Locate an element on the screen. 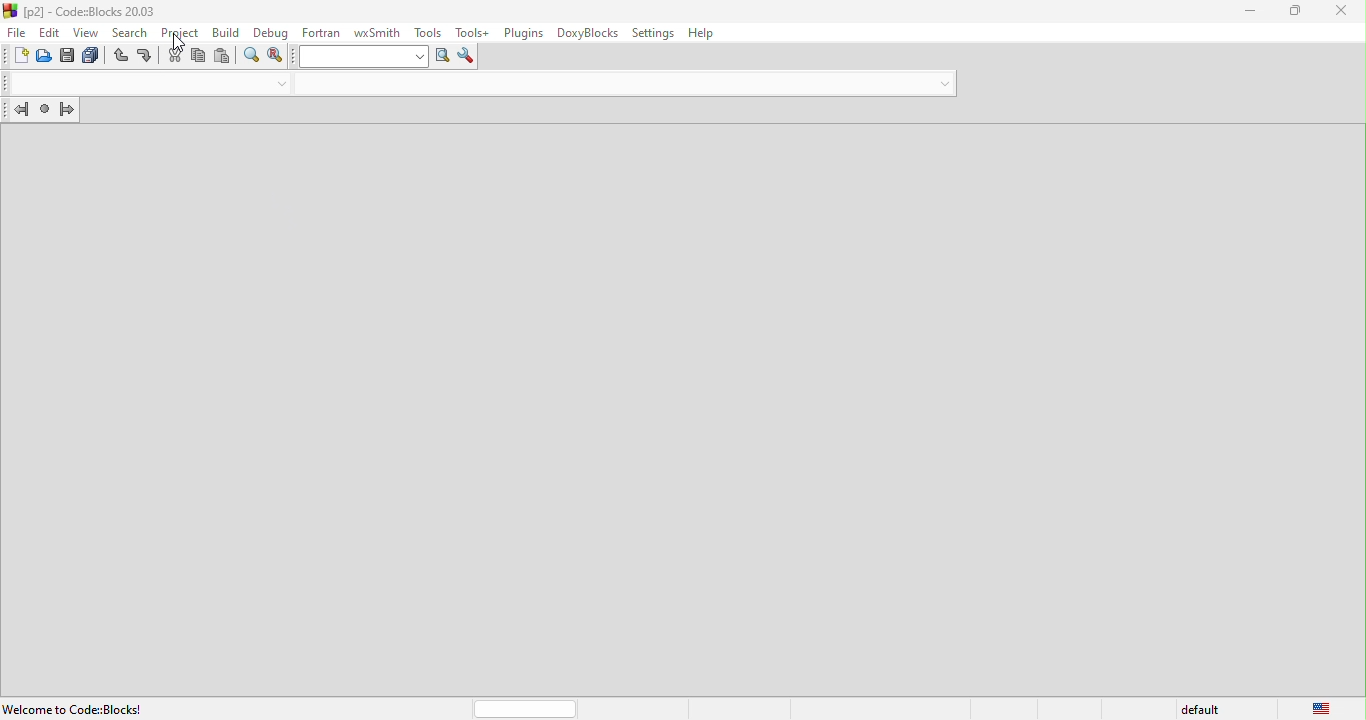 The image size is (1366, 720). debug is located at coordinates (269, 30).